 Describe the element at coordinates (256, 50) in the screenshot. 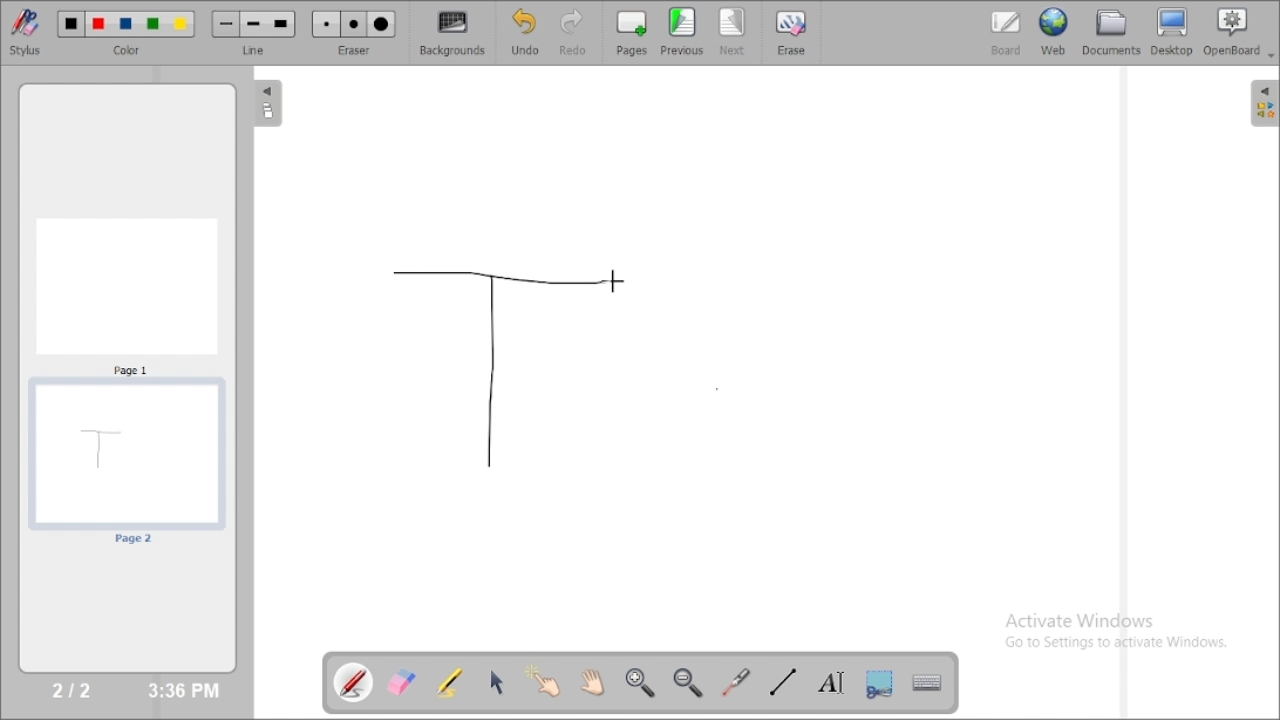

I see `line` at that location.